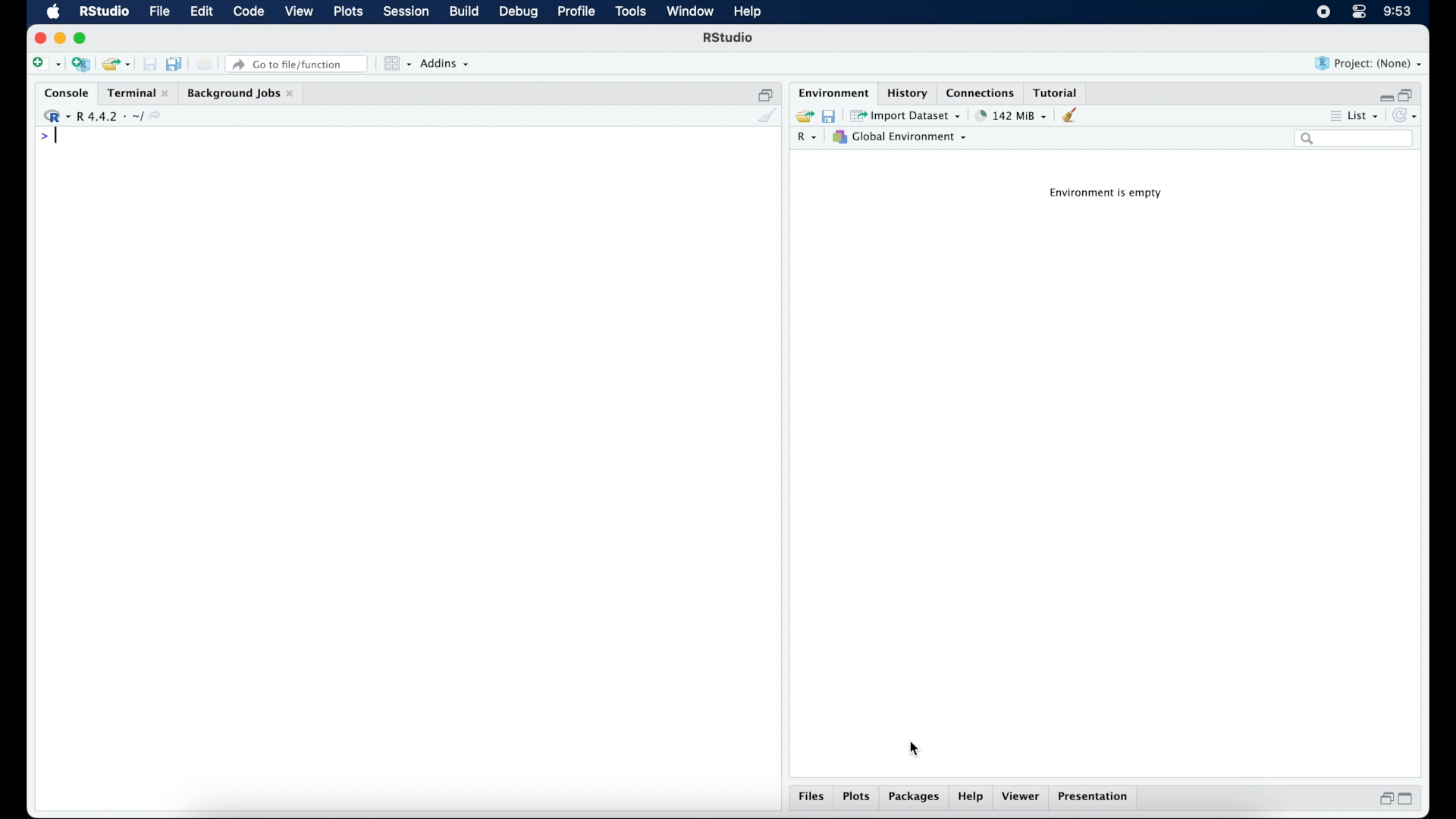 The height and width of the screenshot is (819, 1456). Describe the element at coordinates (517, 13) in the screenshot. I see `debug` at that location.